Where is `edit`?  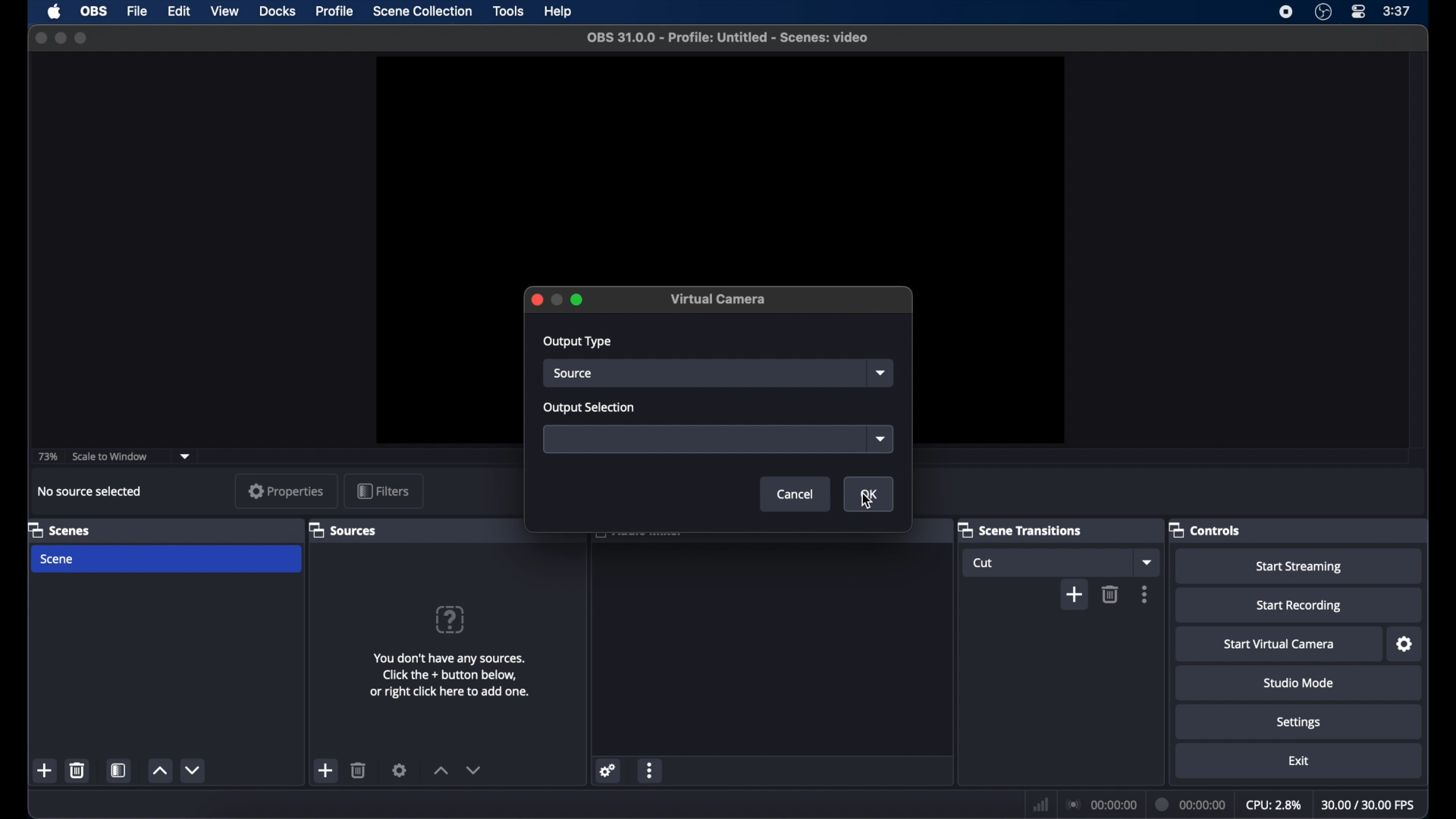 edit is located at coordinates (178, 11).